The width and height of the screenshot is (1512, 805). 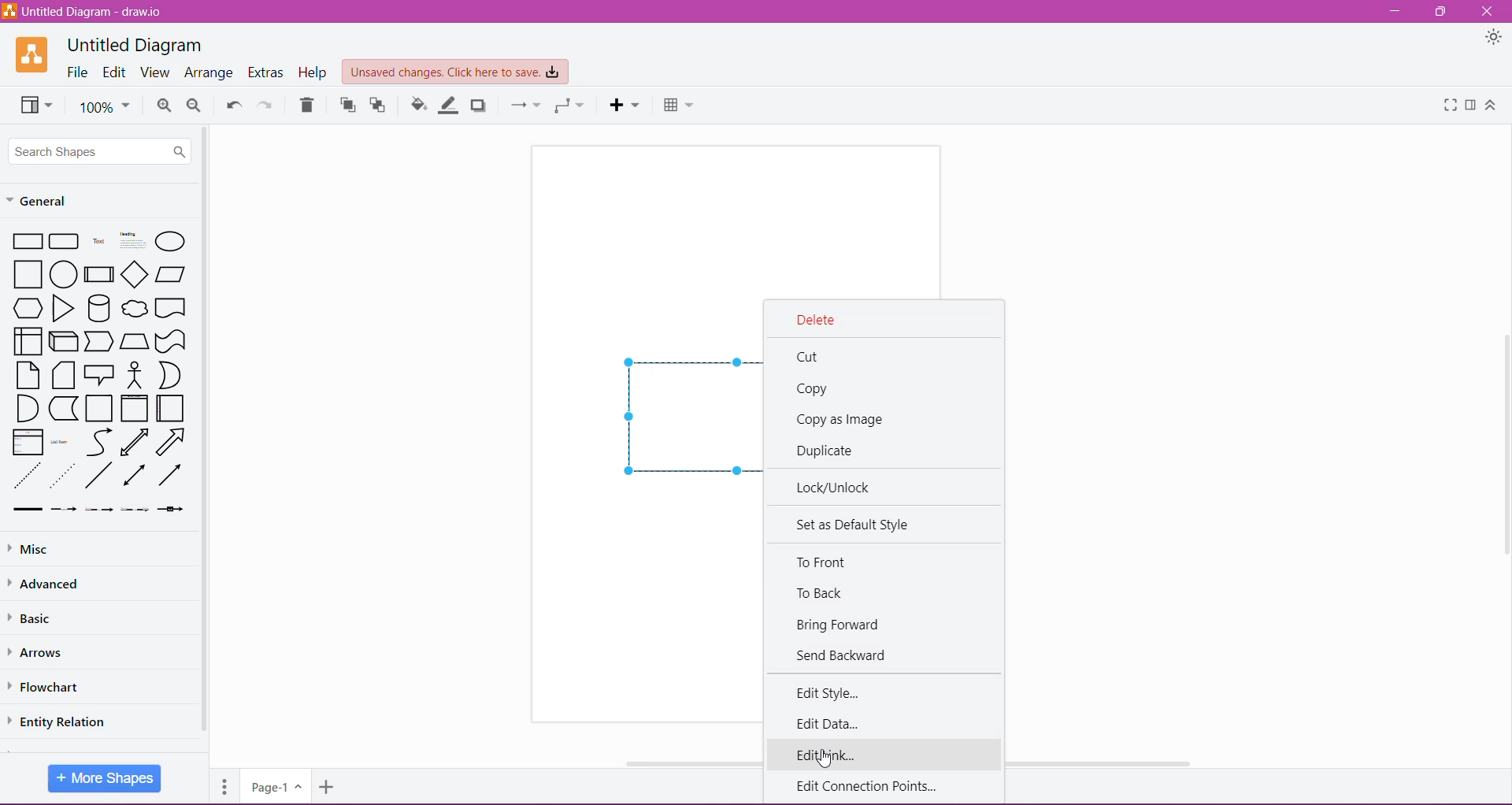 What do you see at coordinates (1451, 106) in the screenshot?
I see `Fullscreen` at bounding box center [1451, 106].